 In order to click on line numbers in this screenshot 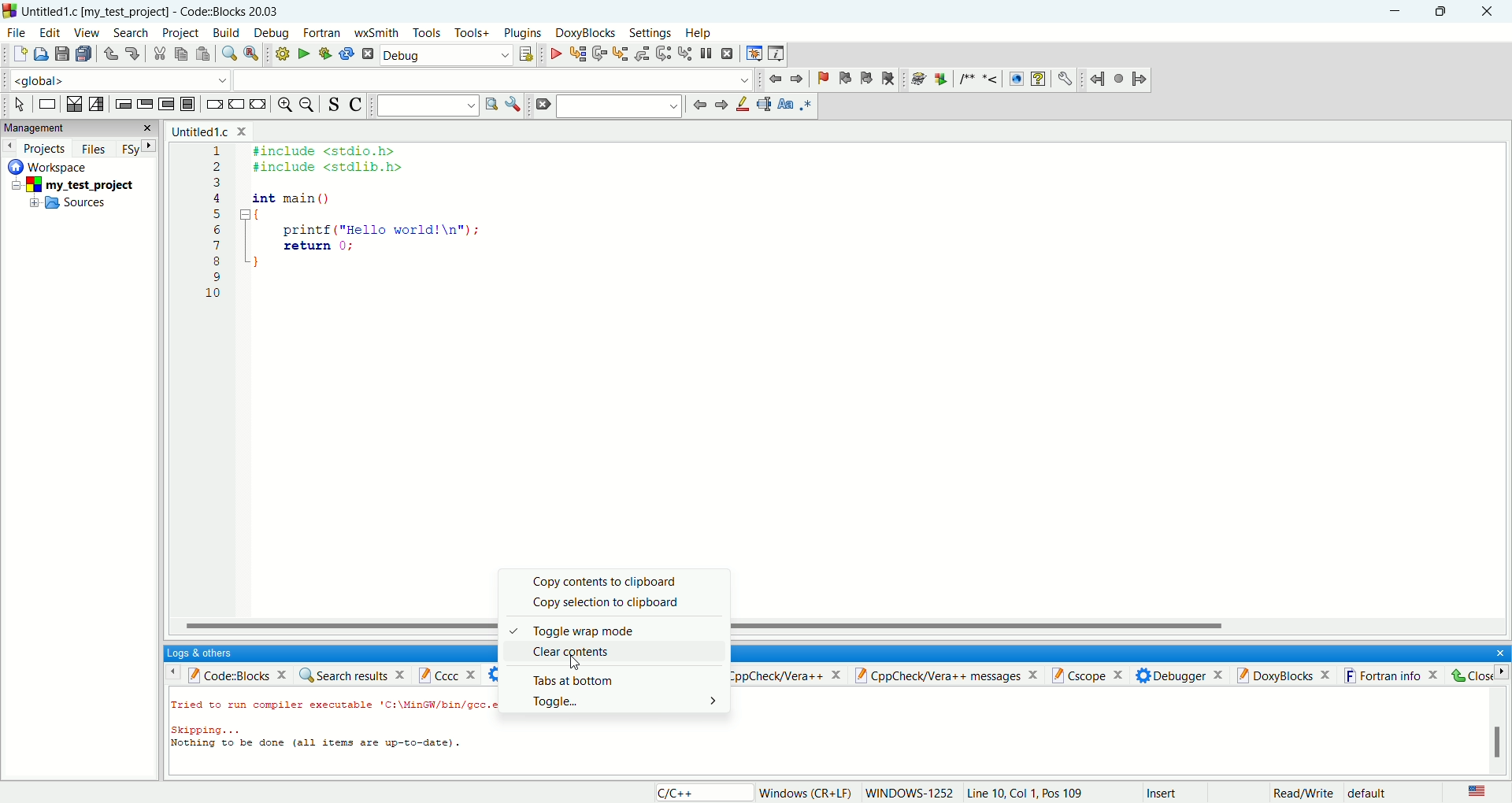, I will do `click(216, 231)`.